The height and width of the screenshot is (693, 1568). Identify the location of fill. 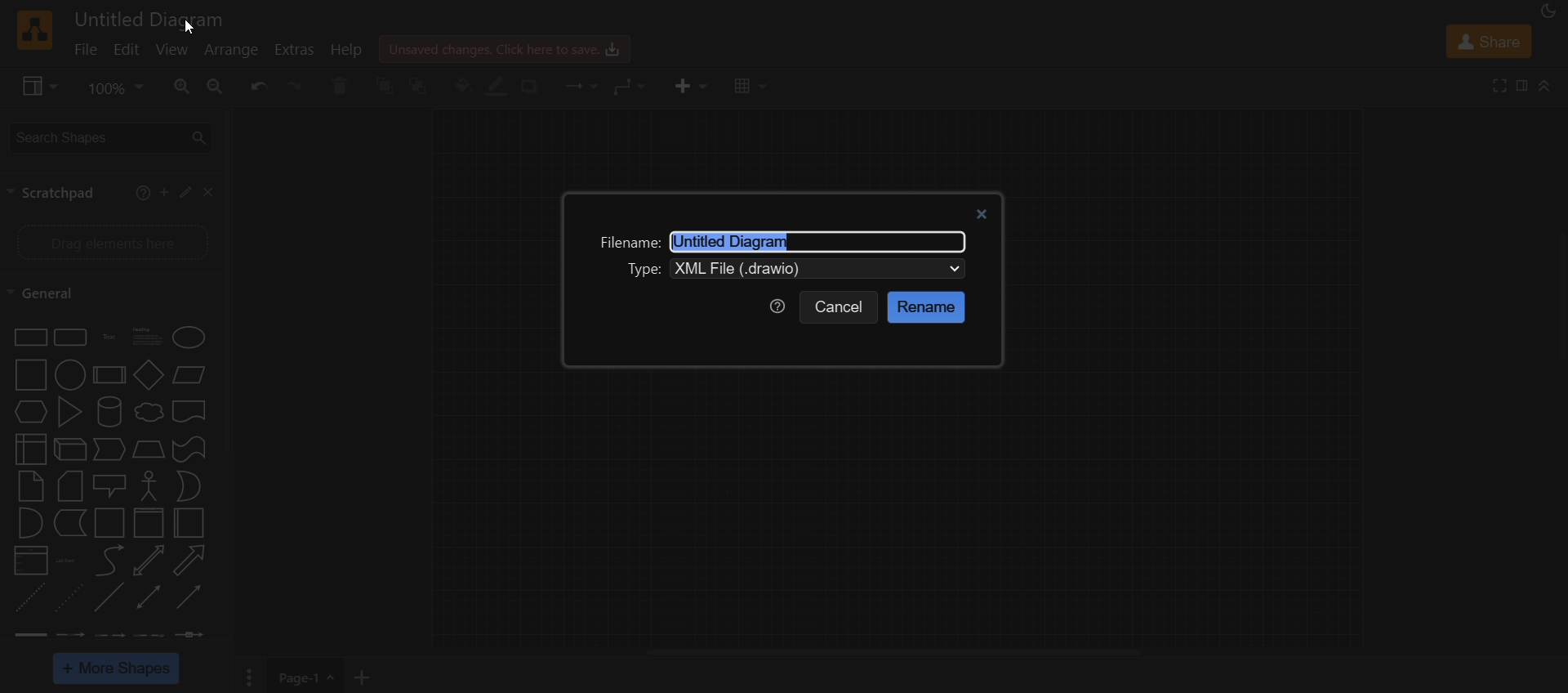
(462, 86).